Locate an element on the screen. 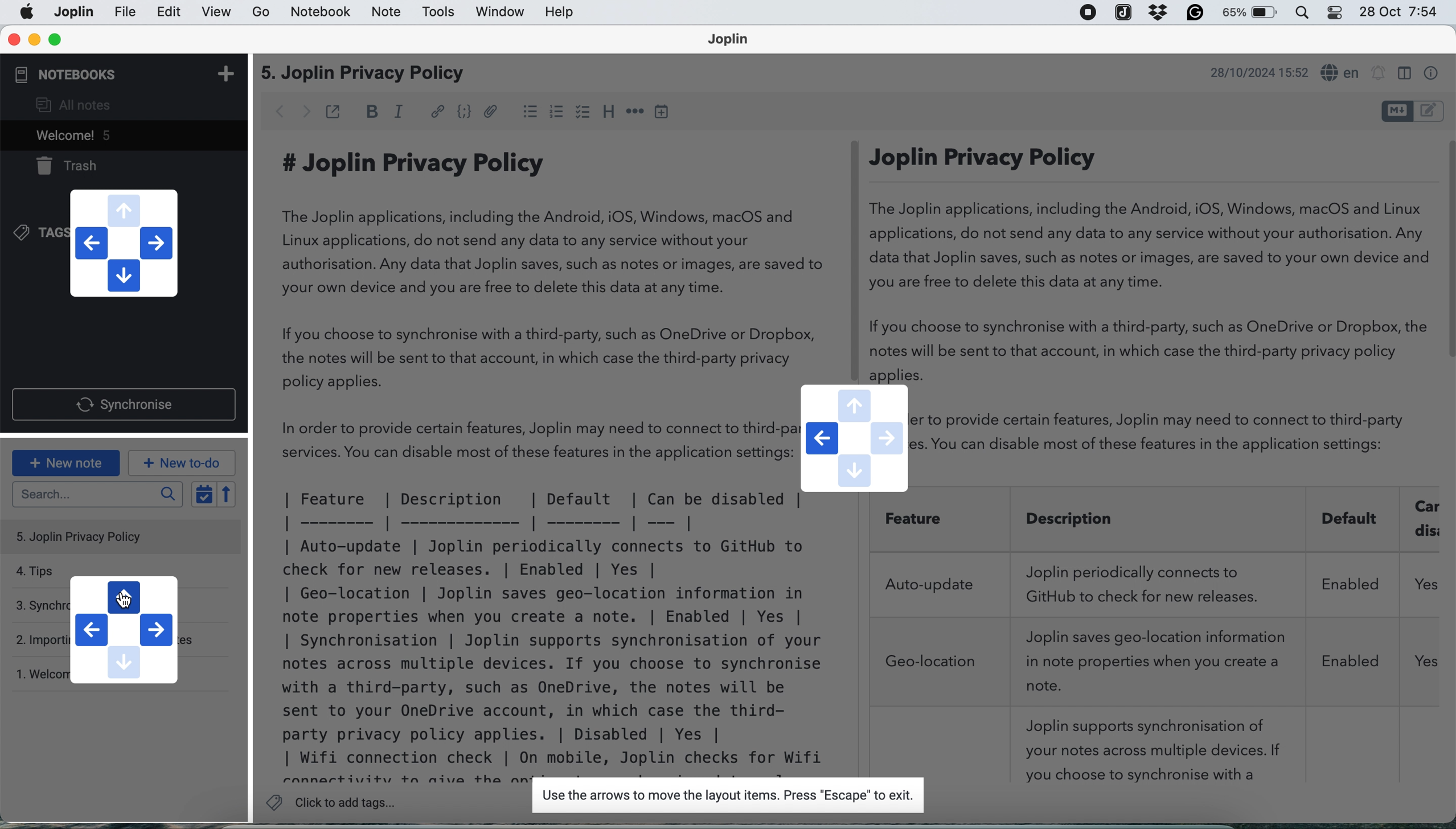 This screenshot has height=829, width=1456. 28 Oct 7:54 is located at coordinates (1398, 13).